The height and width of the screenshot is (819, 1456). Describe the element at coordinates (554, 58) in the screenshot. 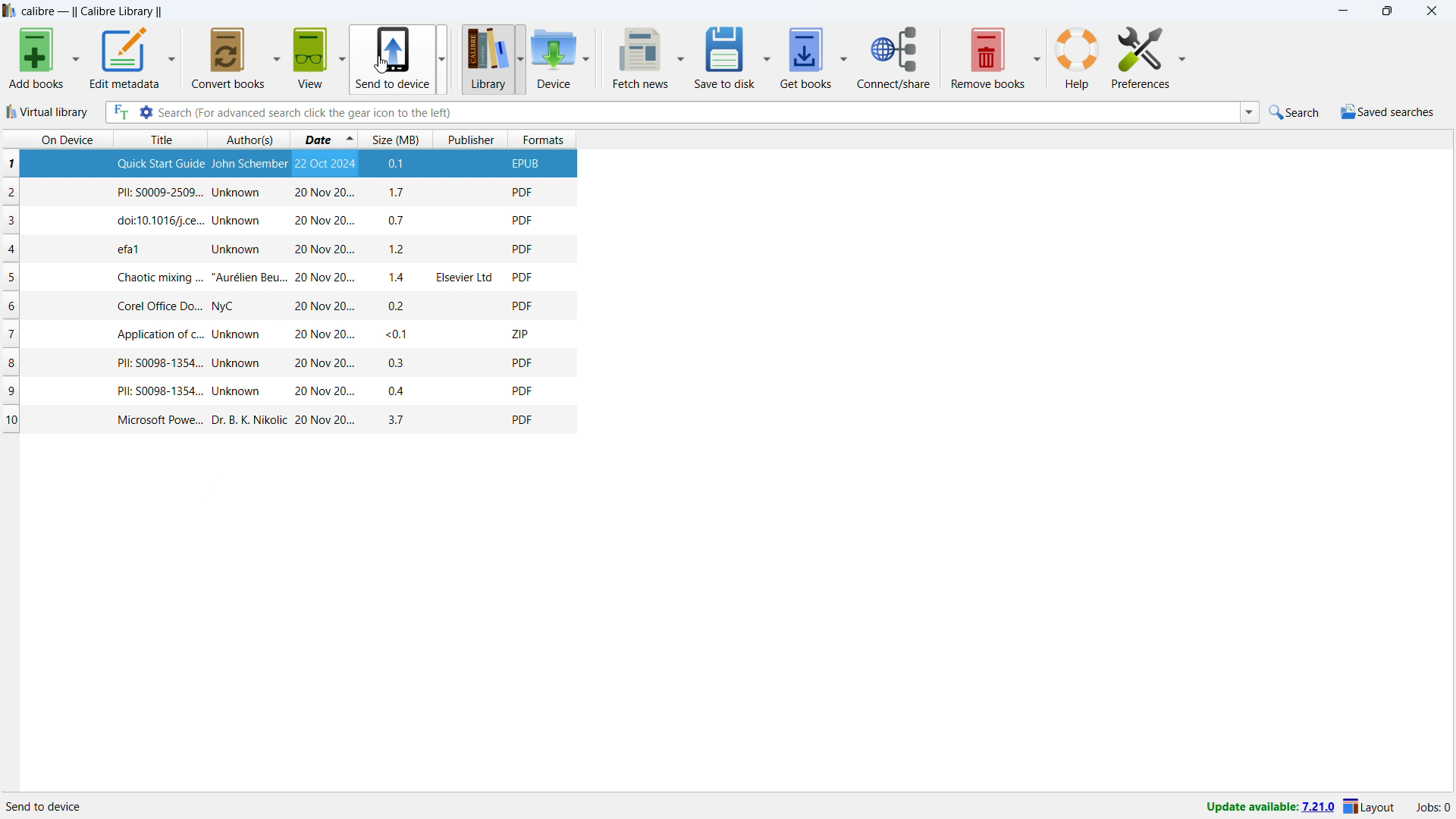

I see `device` at that location.